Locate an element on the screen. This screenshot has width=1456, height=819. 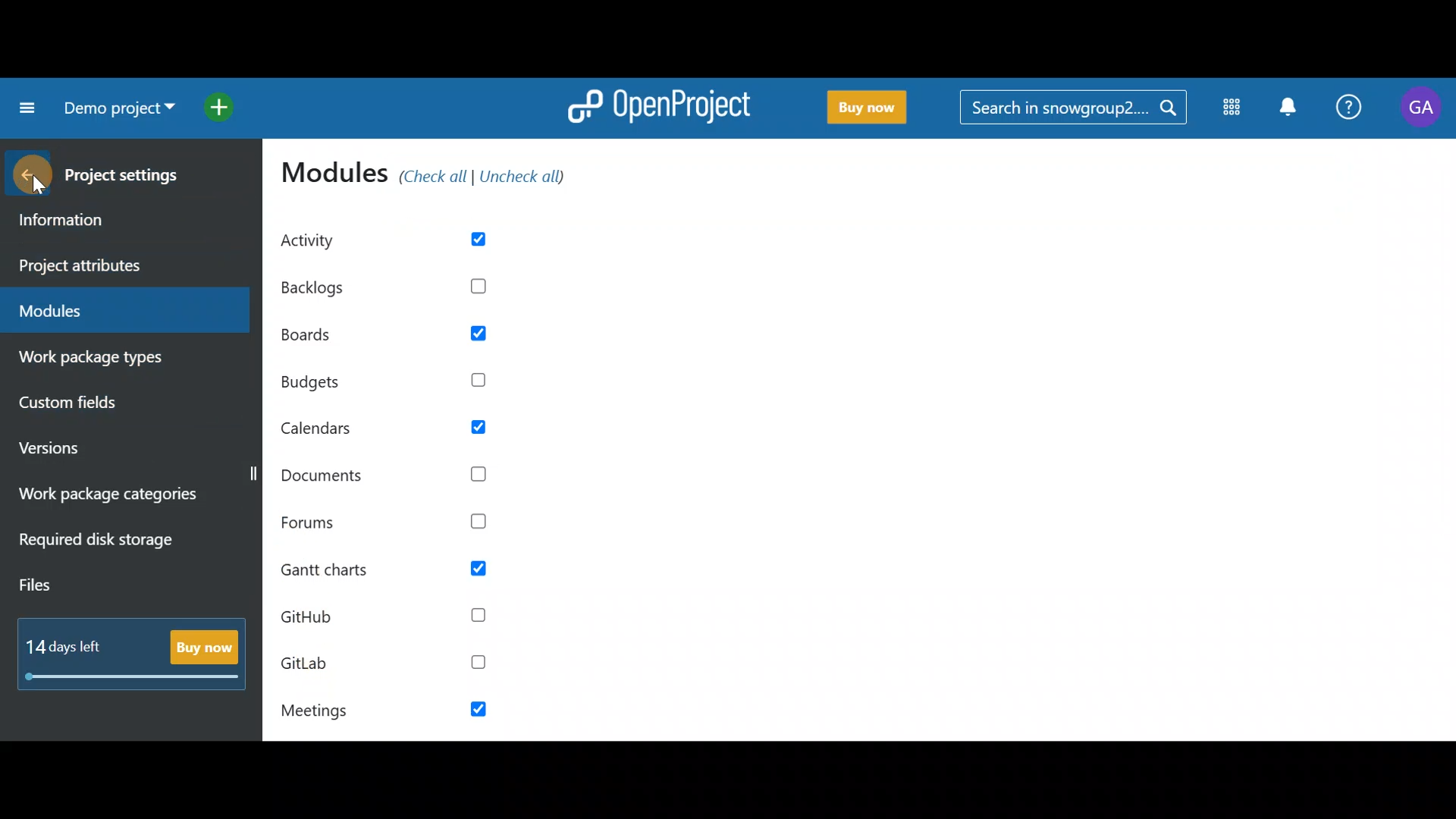
Project attributes is located at coordinates (120, 266).